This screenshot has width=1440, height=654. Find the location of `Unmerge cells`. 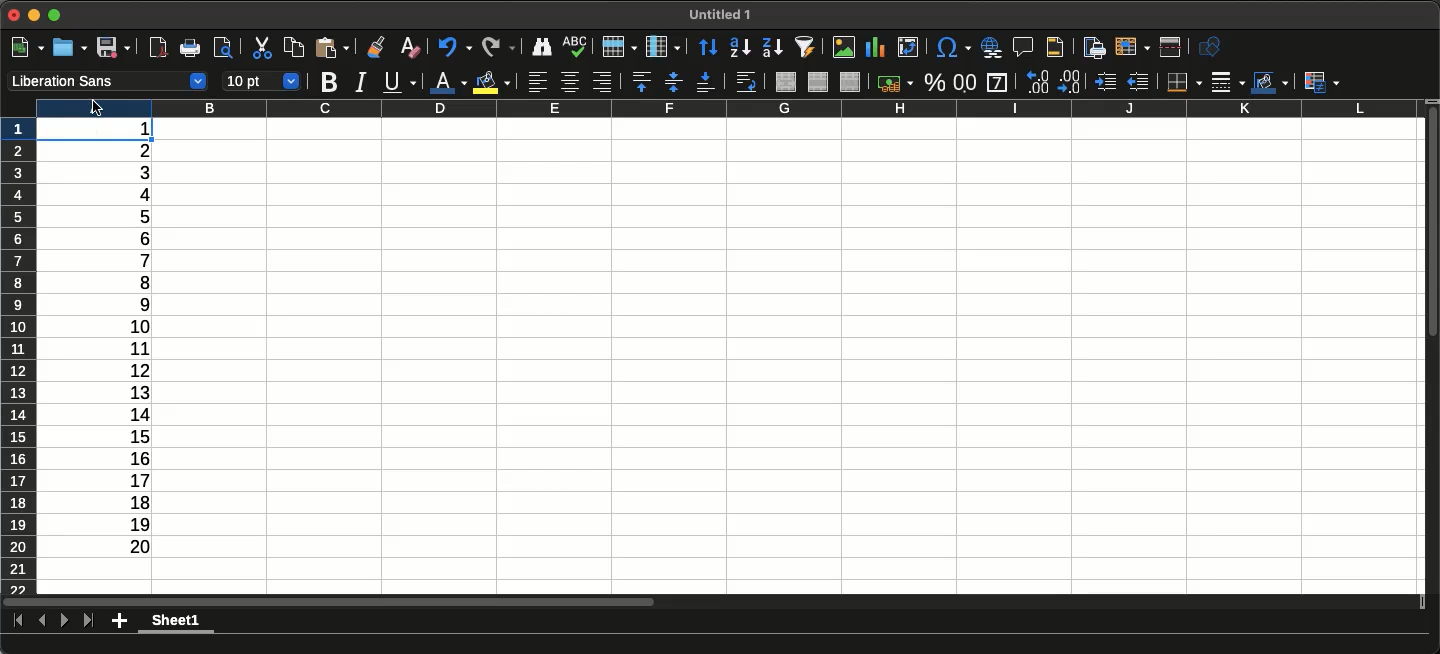

Unmerge cells is located at coordinates (849, 82).